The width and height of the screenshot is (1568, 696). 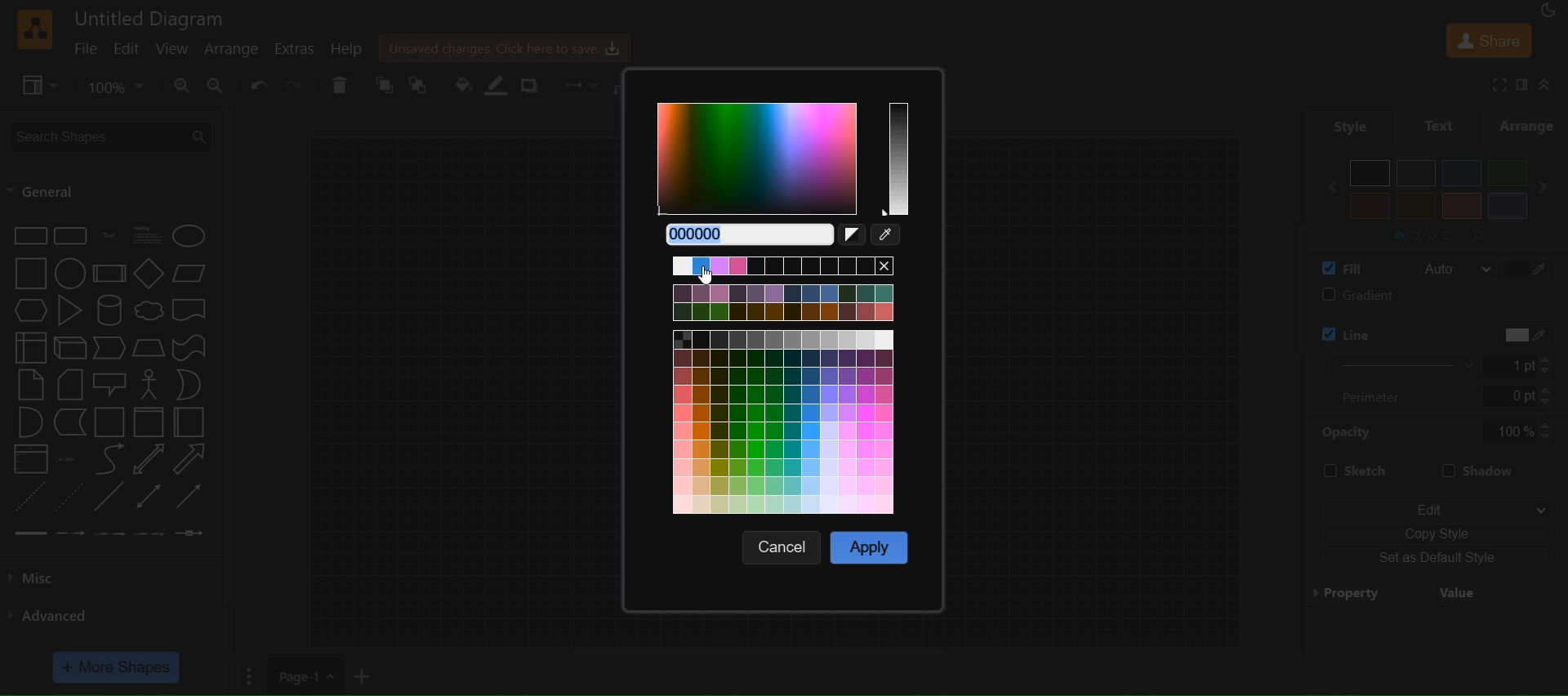 What do you see at coordinates (145, 460) in the screenshot?
I see `bidirectional arrow` at bounding box center [145, 460].